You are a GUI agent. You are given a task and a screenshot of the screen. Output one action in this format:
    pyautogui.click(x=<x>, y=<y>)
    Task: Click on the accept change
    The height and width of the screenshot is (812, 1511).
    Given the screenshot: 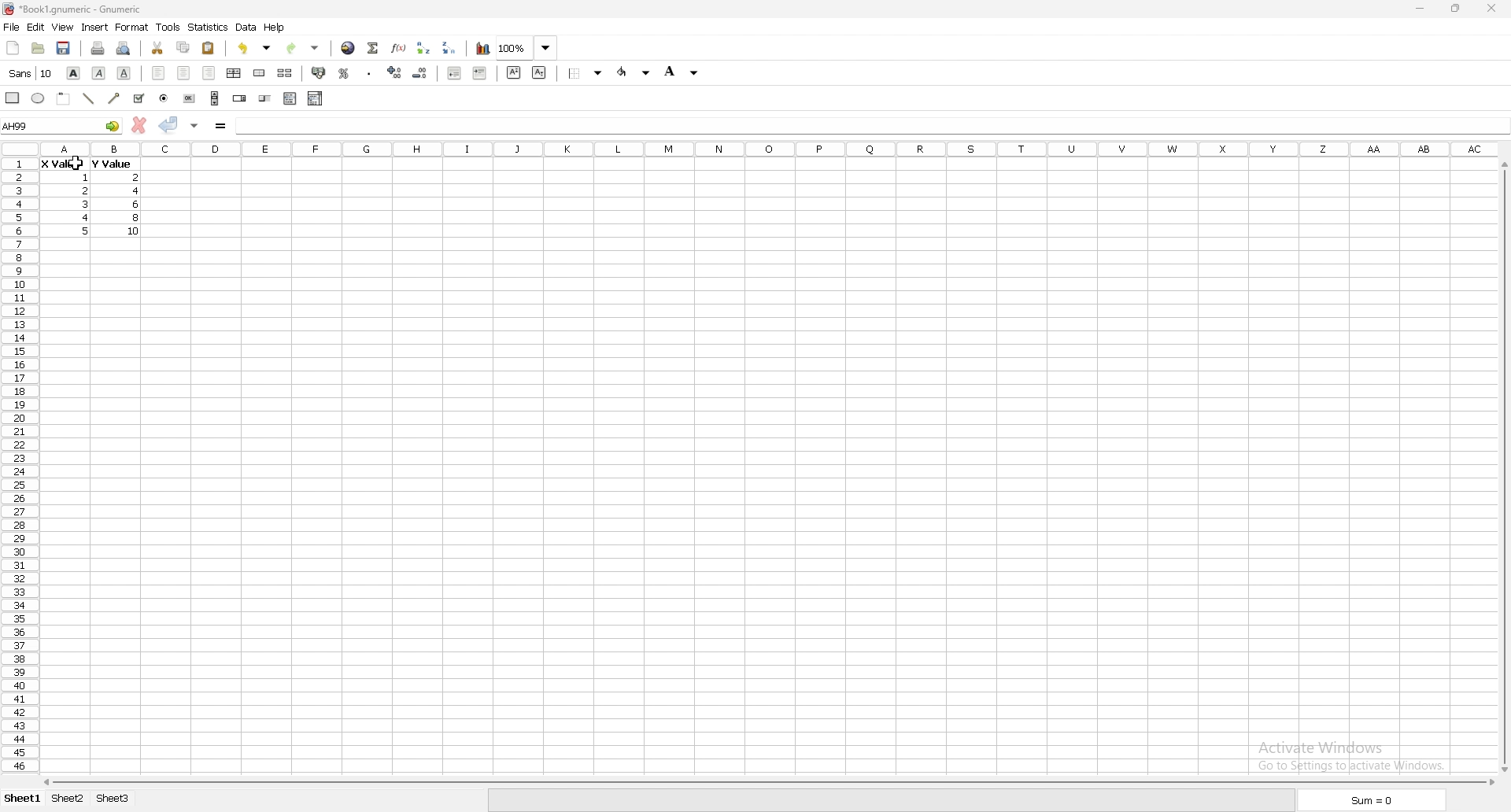 What is the action you would take?
    pyautogui.click(x=168, y=124)
    